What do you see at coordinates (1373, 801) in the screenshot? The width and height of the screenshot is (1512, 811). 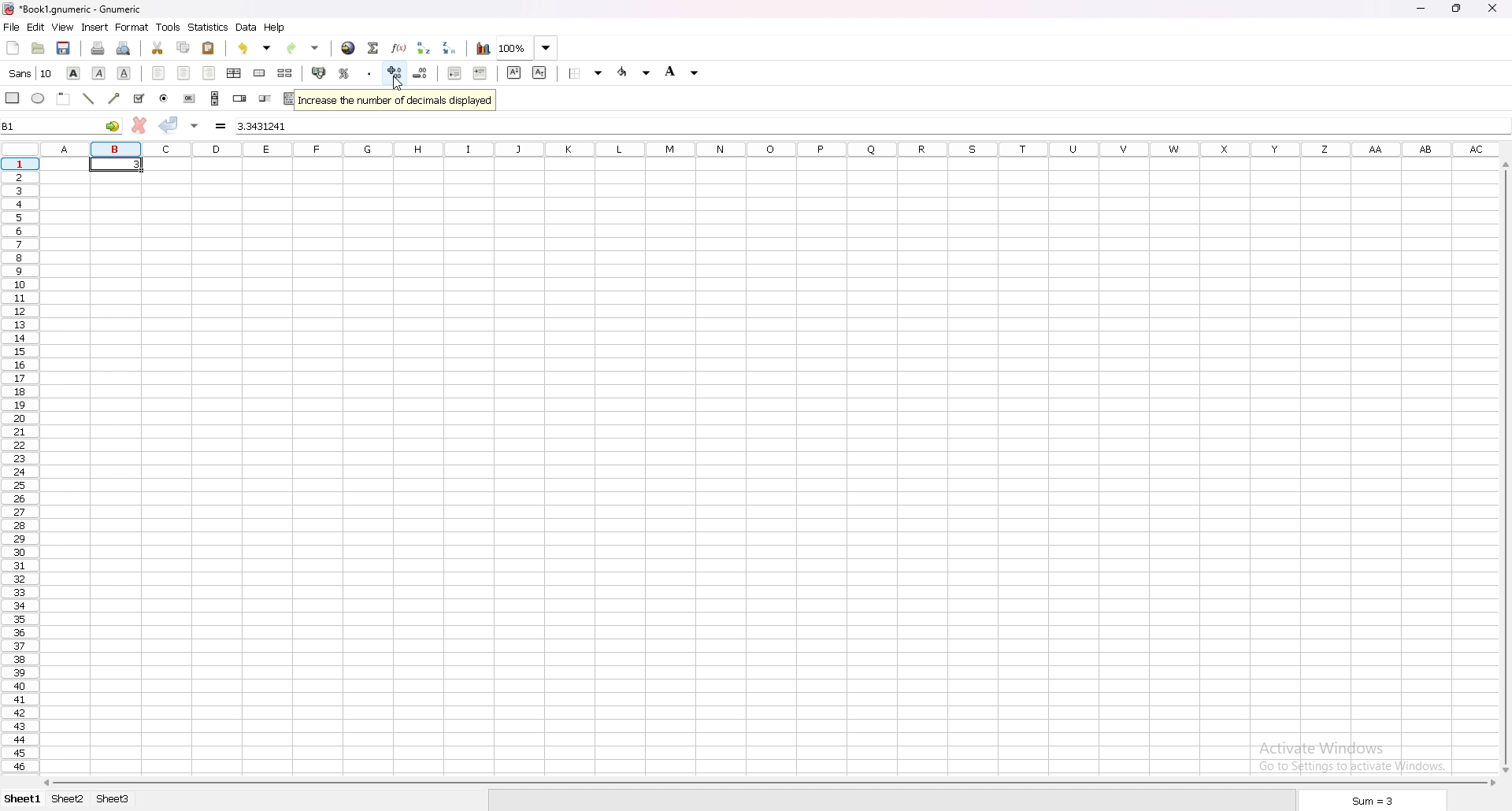 I see `sum` at bounding box center [1373, 801].